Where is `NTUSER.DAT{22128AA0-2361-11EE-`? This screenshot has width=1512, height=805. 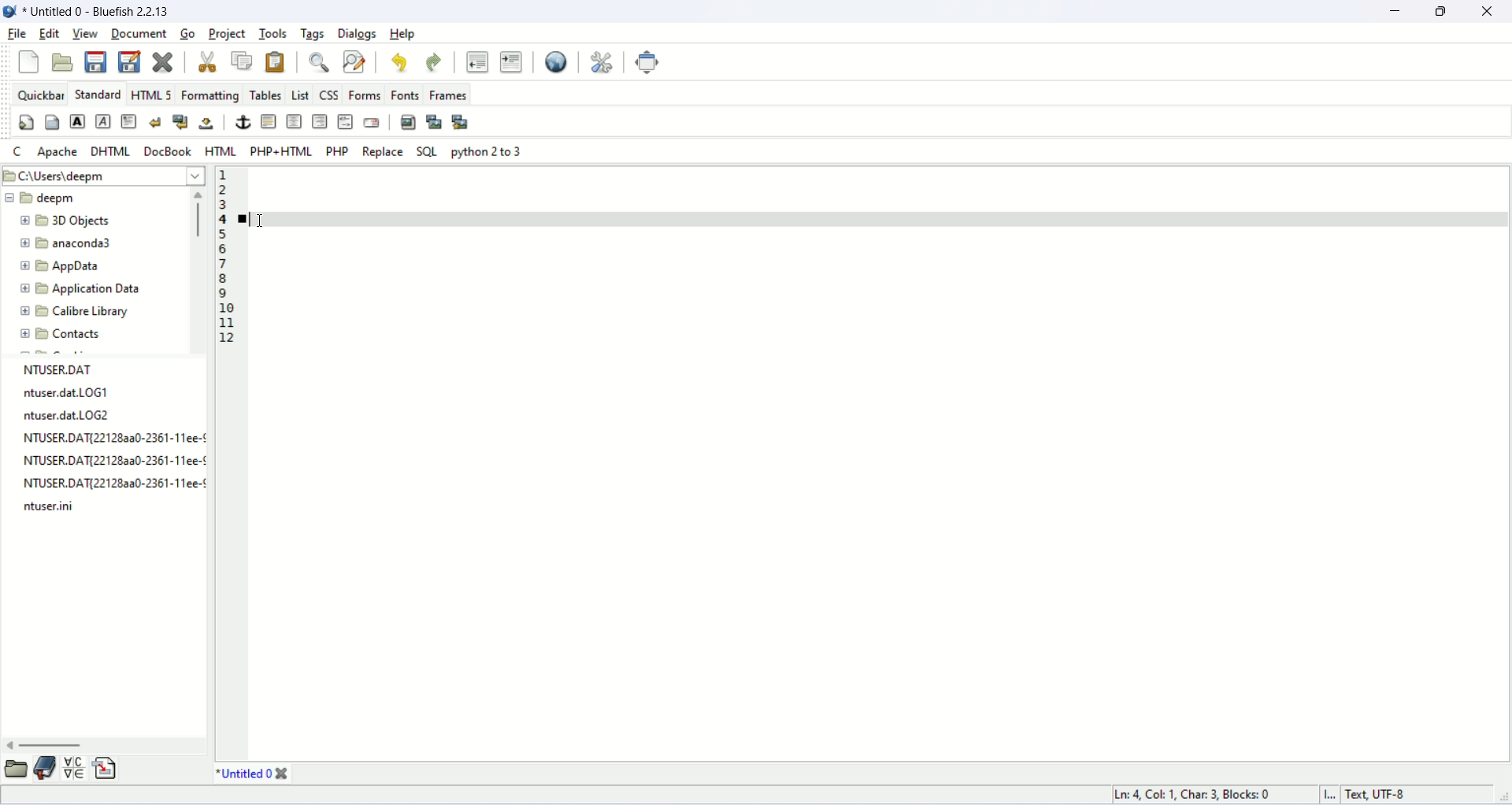 NTUSER.DAT{22128AA0-2361-11EE- is located at coordinates (118, 439).